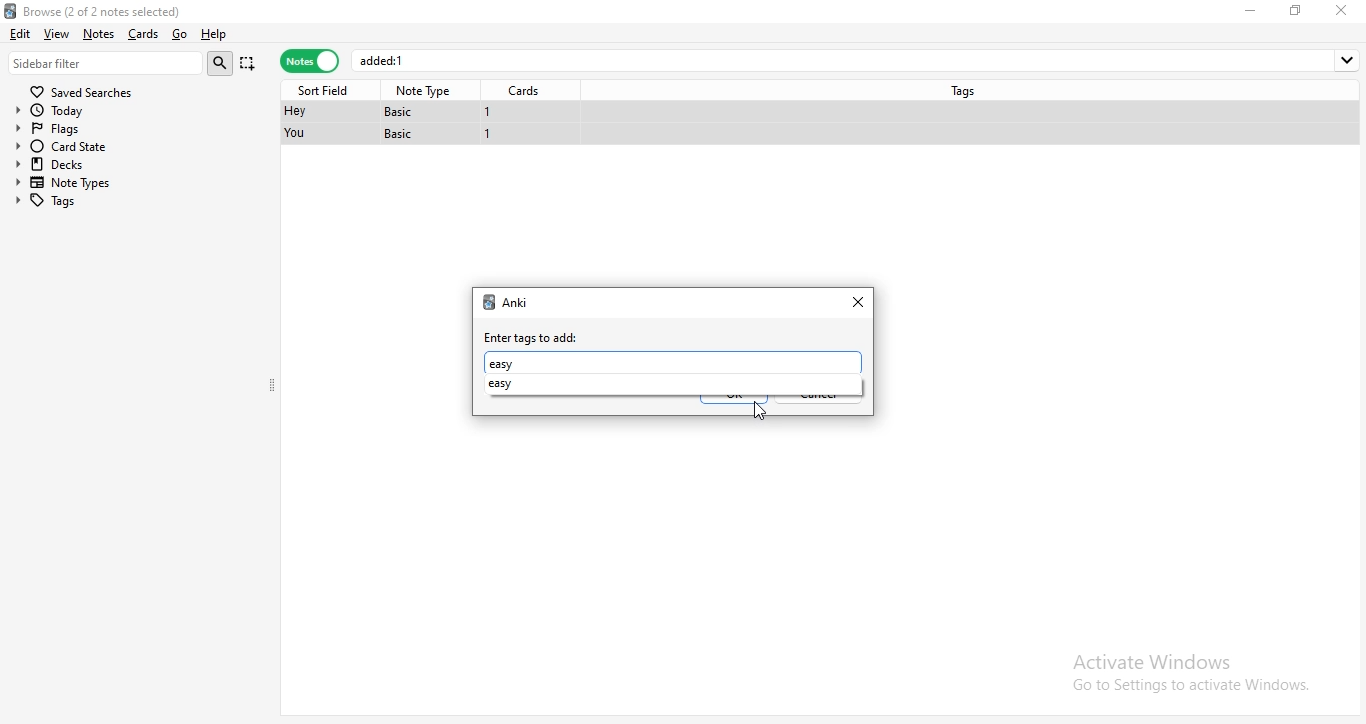 Image resolution: width=1366 pixels, height=724 pixels. Describe the element at coordinates (426, 91) in the screenshot. I see `note type` at that location.